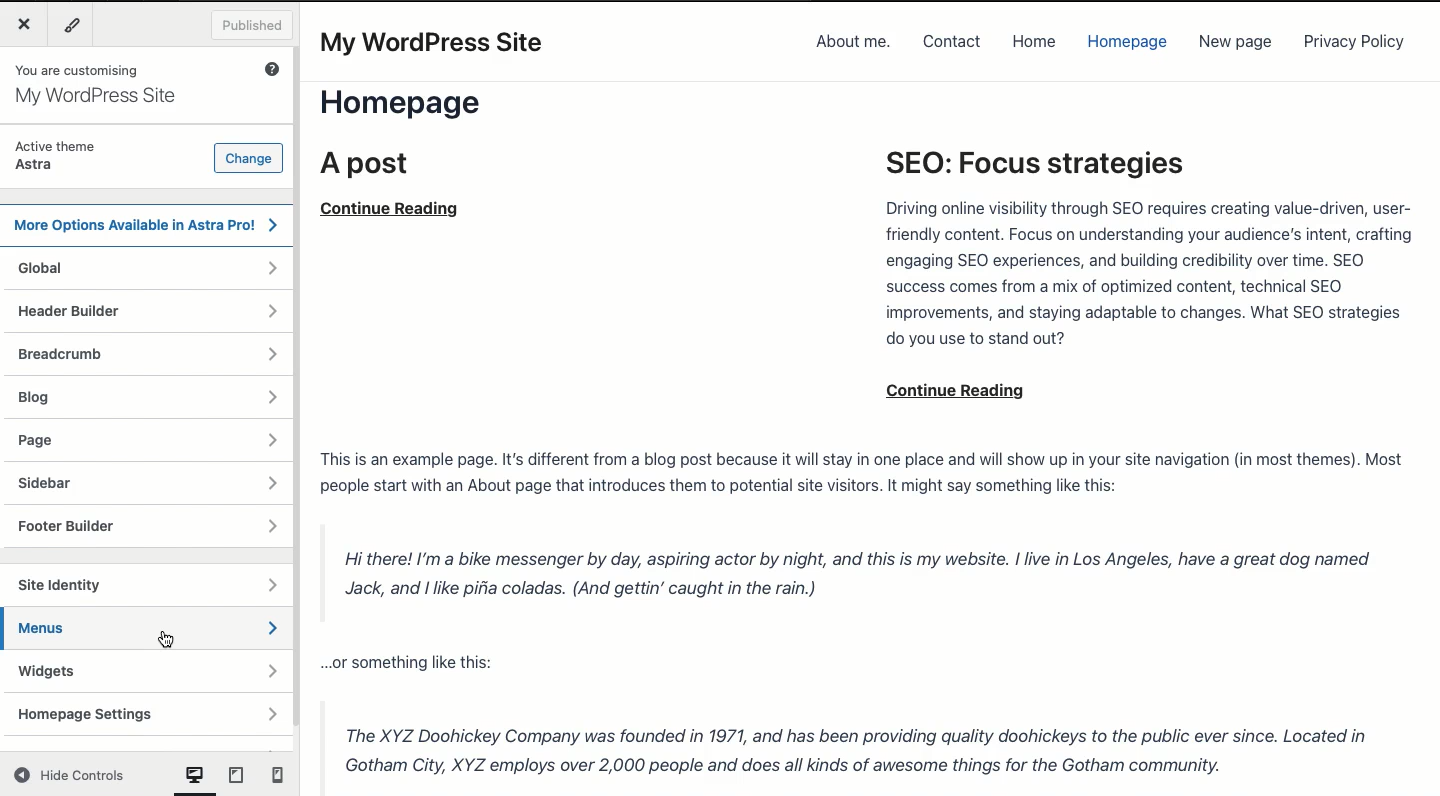 The height and width of the screenshot is (796, 1440). What do you see at coordinates (395, 208) in the screenshot?
I see `continue` at bounding box center [395, 208].